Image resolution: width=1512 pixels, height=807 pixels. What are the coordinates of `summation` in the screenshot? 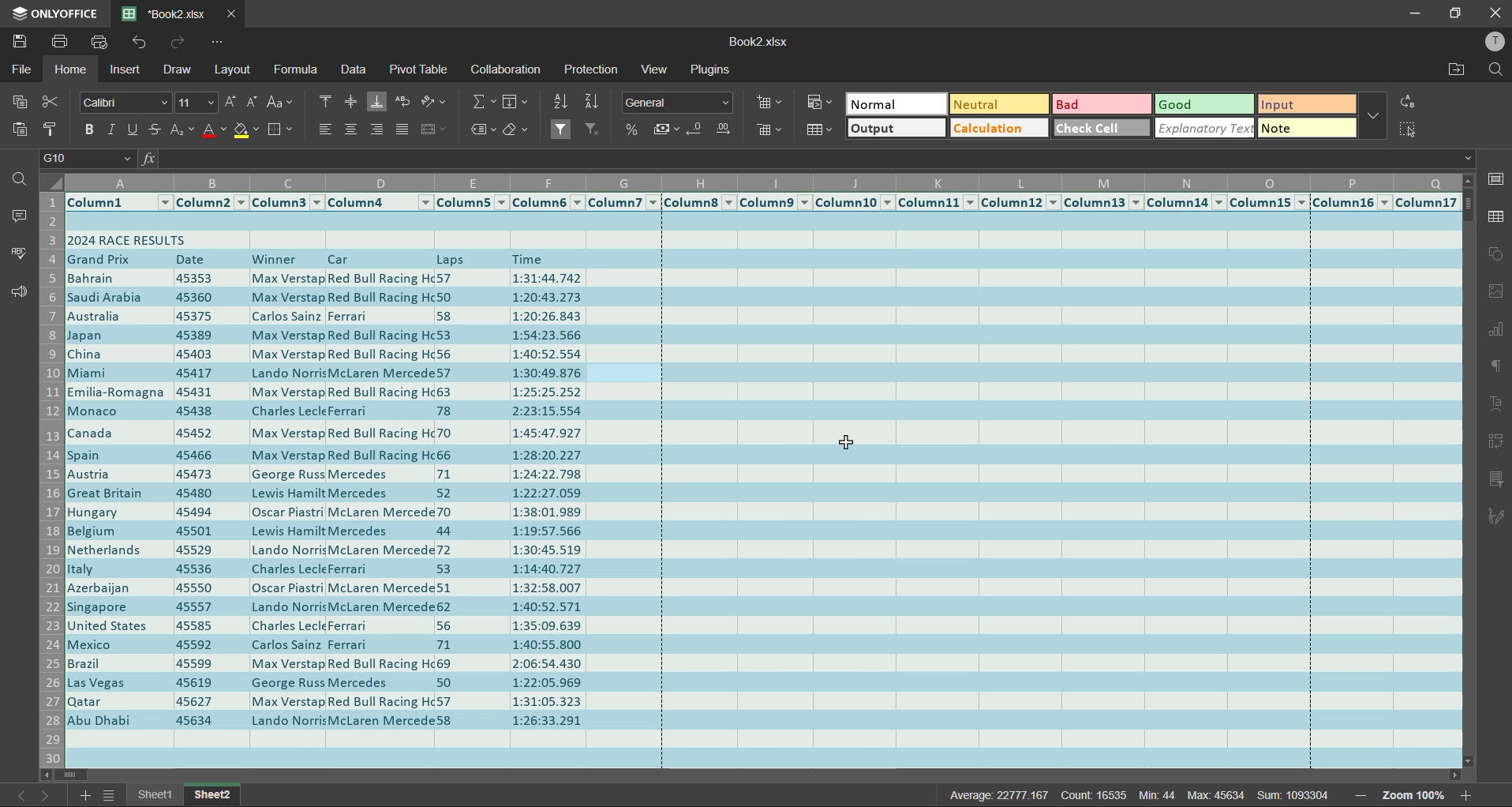 It's located at (483, 102).